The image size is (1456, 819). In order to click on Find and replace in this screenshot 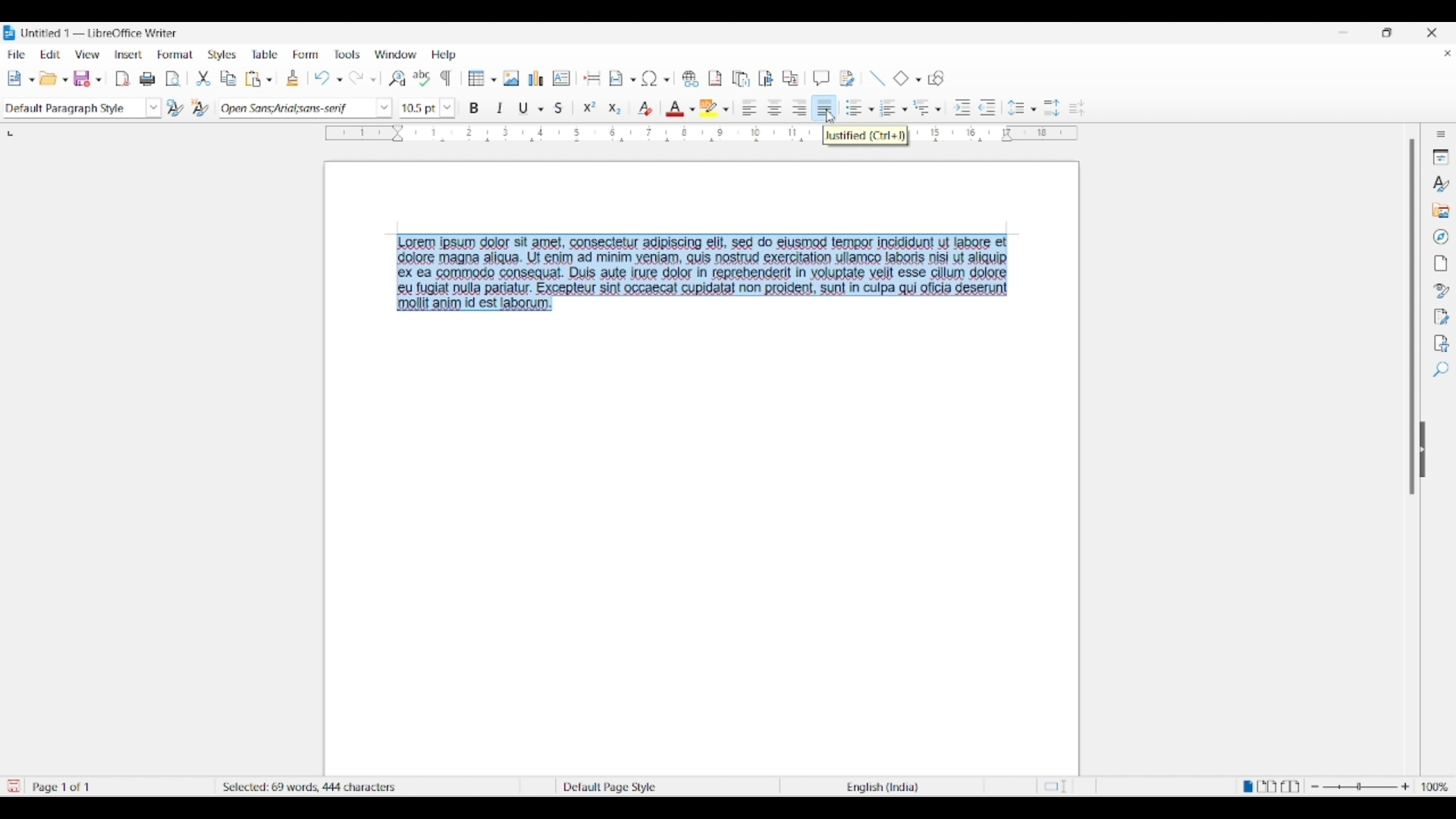, I will do `click(397, 78)`.